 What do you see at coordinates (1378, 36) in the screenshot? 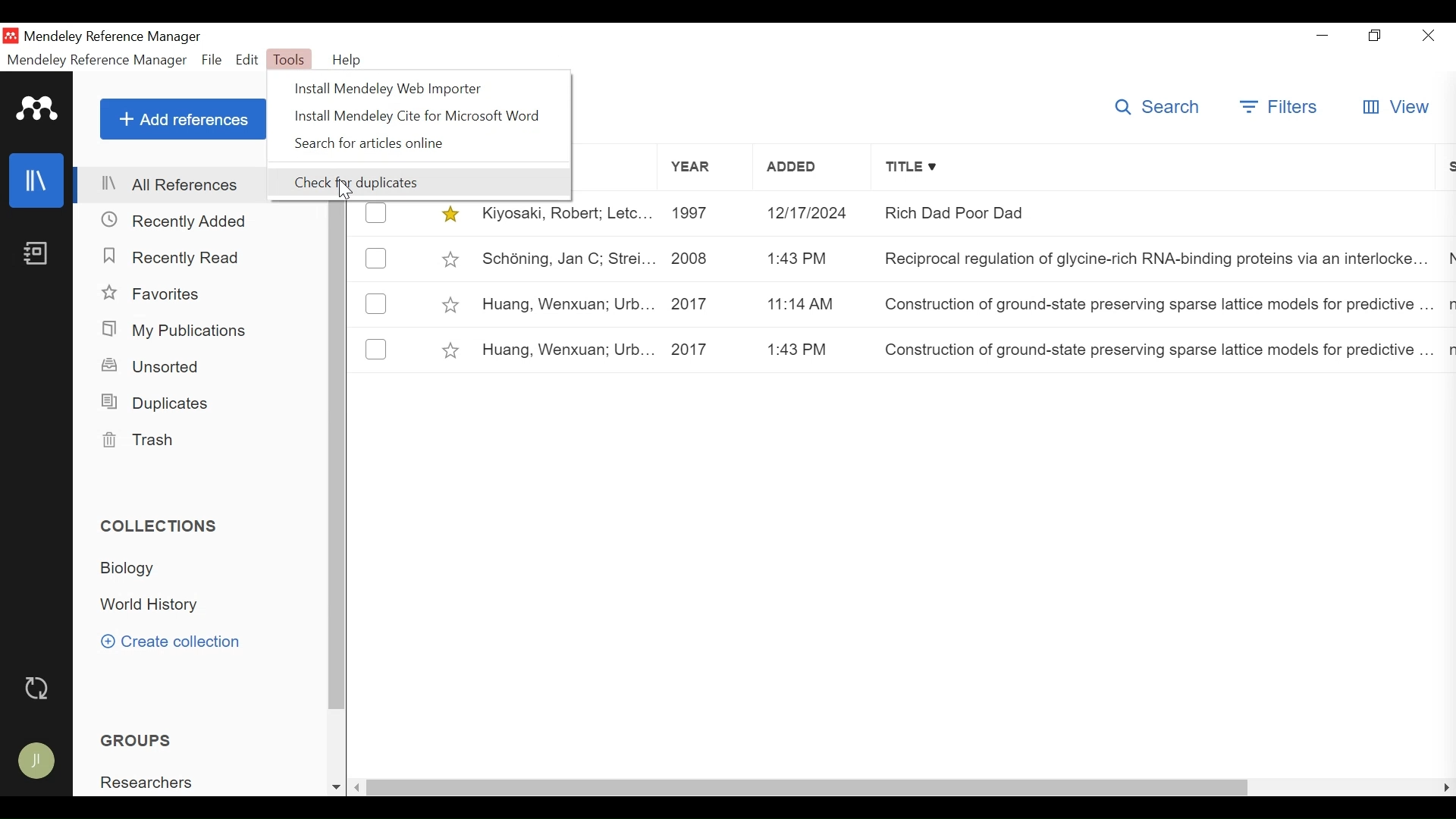
I see `Restore` at bounding box center [1378, 36].